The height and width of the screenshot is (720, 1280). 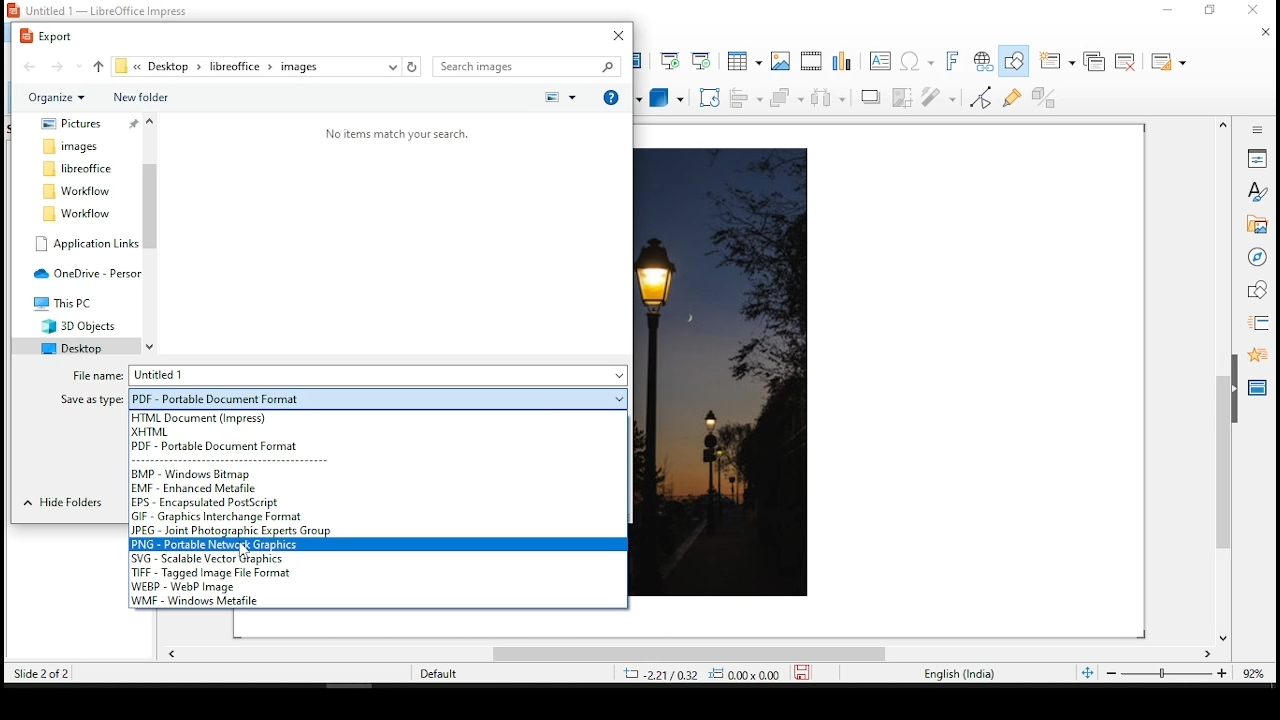 I want to click on close window, so click(x=618, y=34).